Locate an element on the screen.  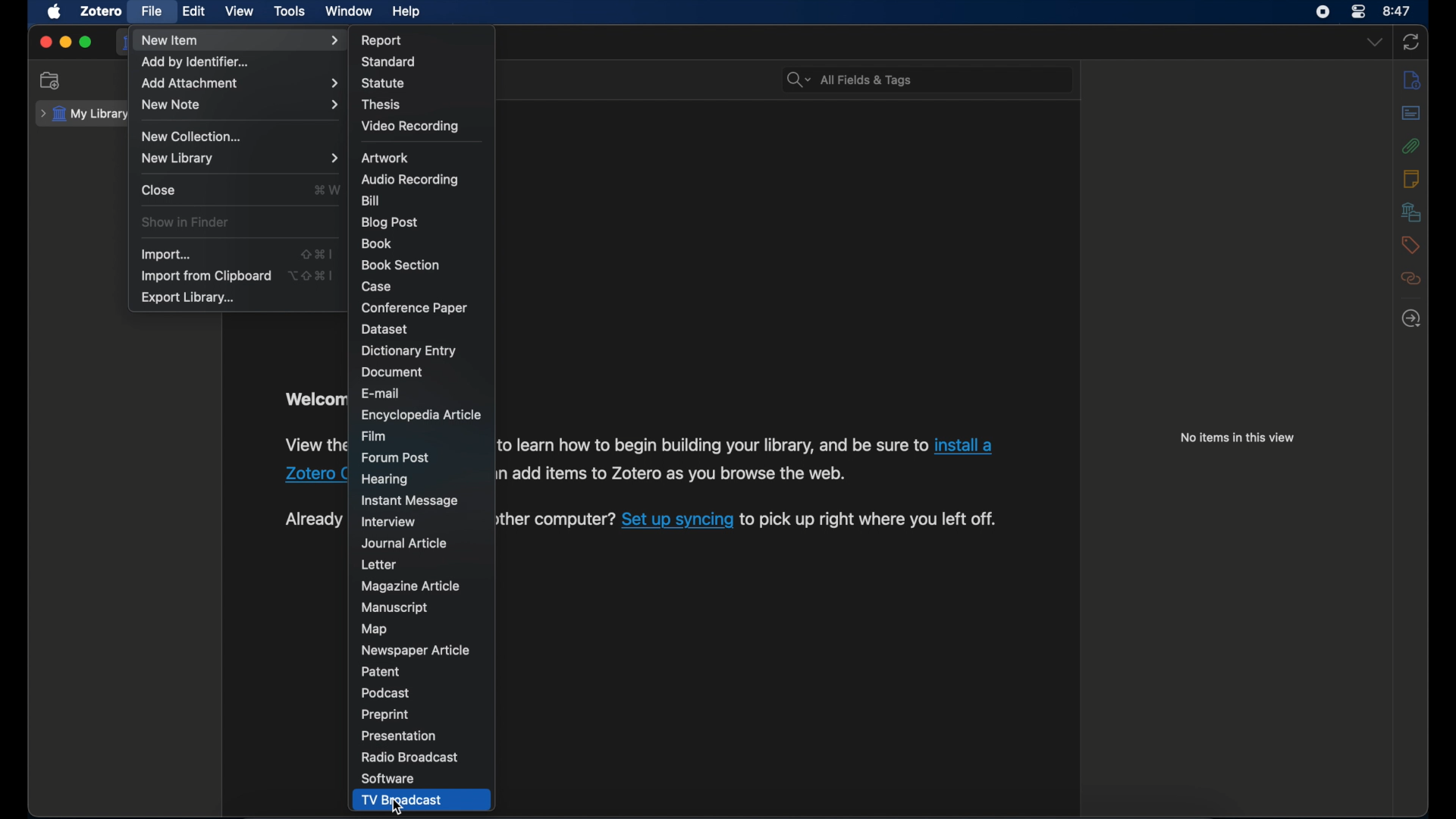
conference paper is located at coordinates (414, 307).